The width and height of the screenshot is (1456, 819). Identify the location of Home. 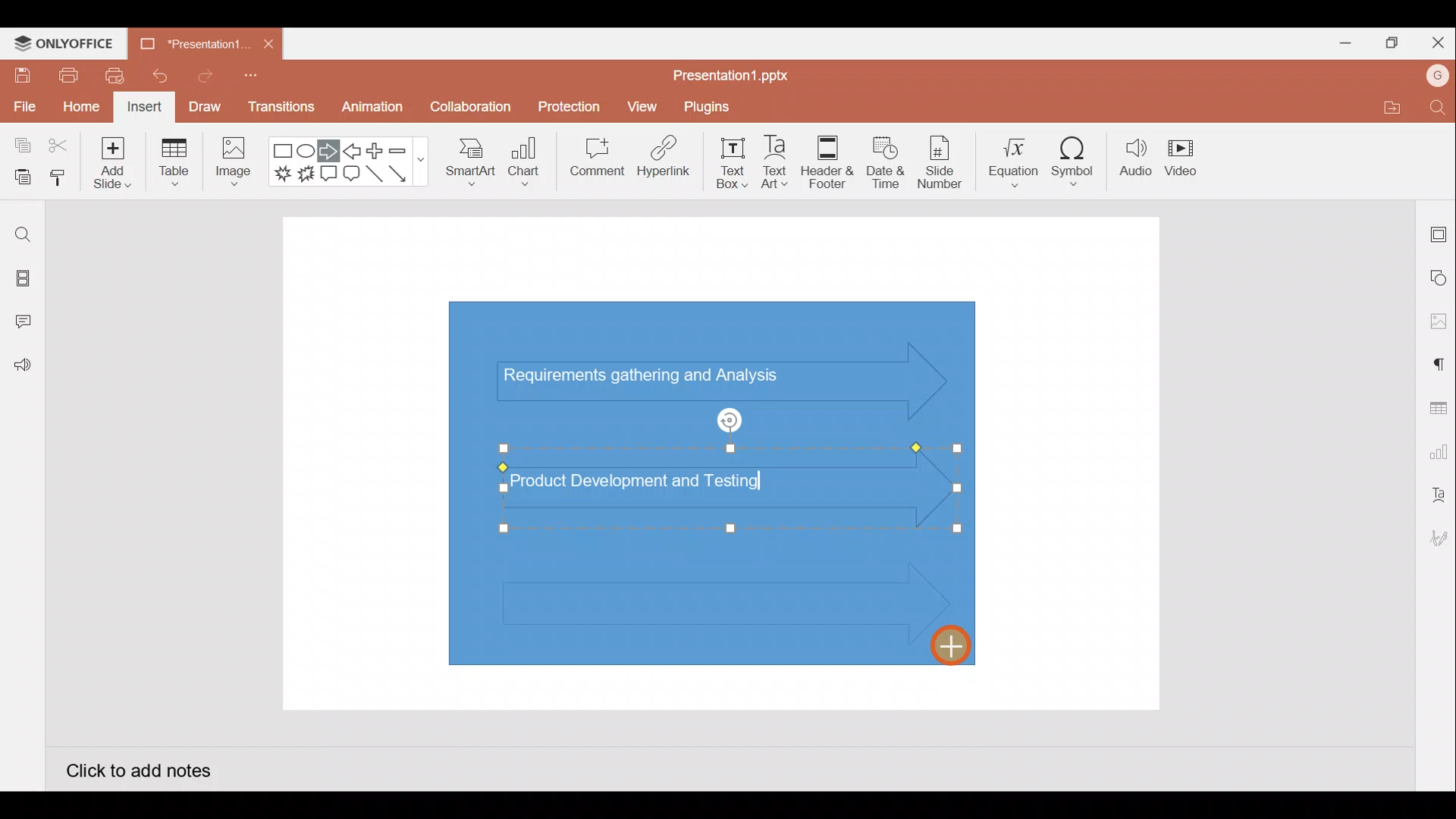
(81, 108).